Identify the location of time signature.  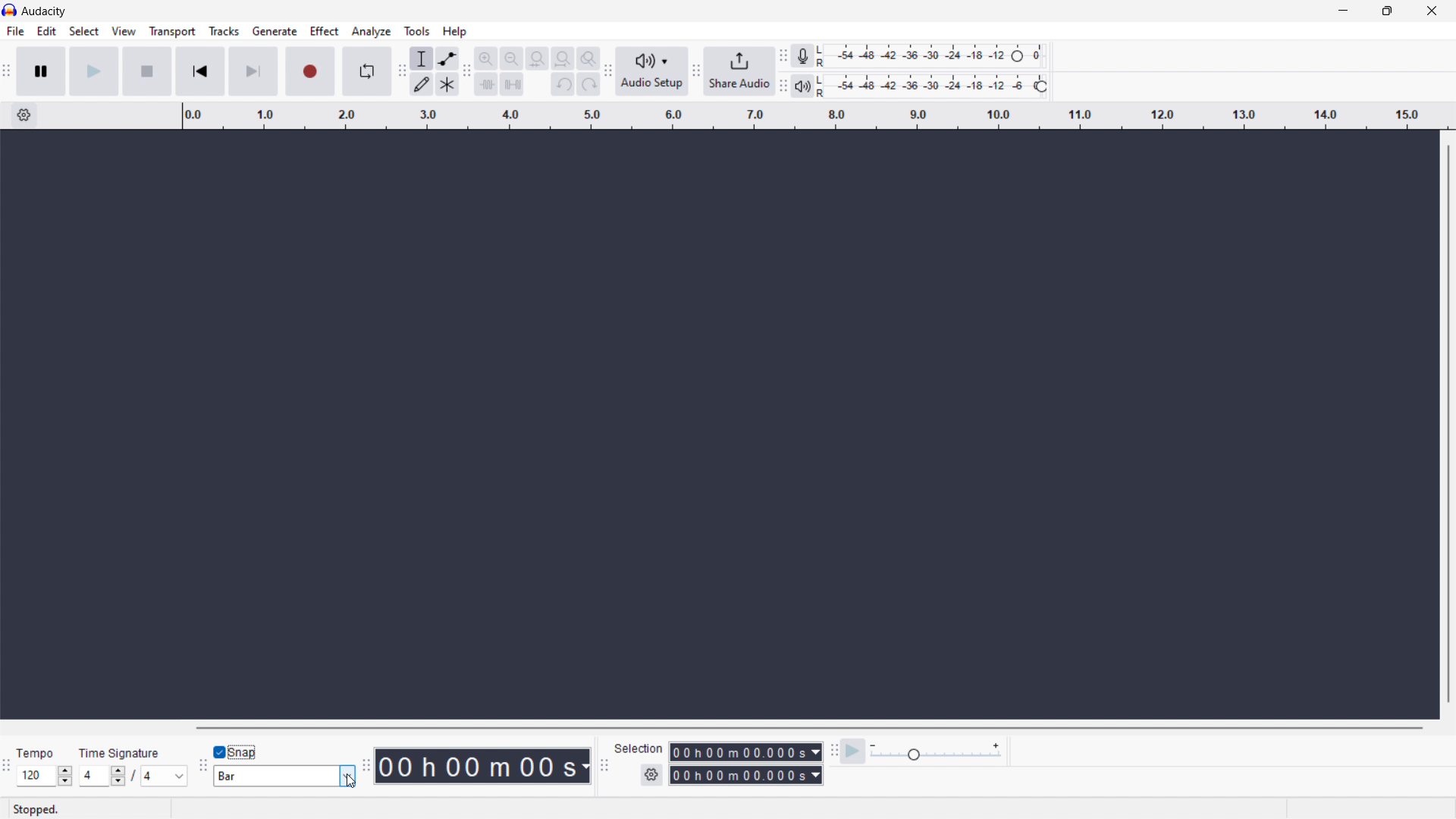
(133, 776).